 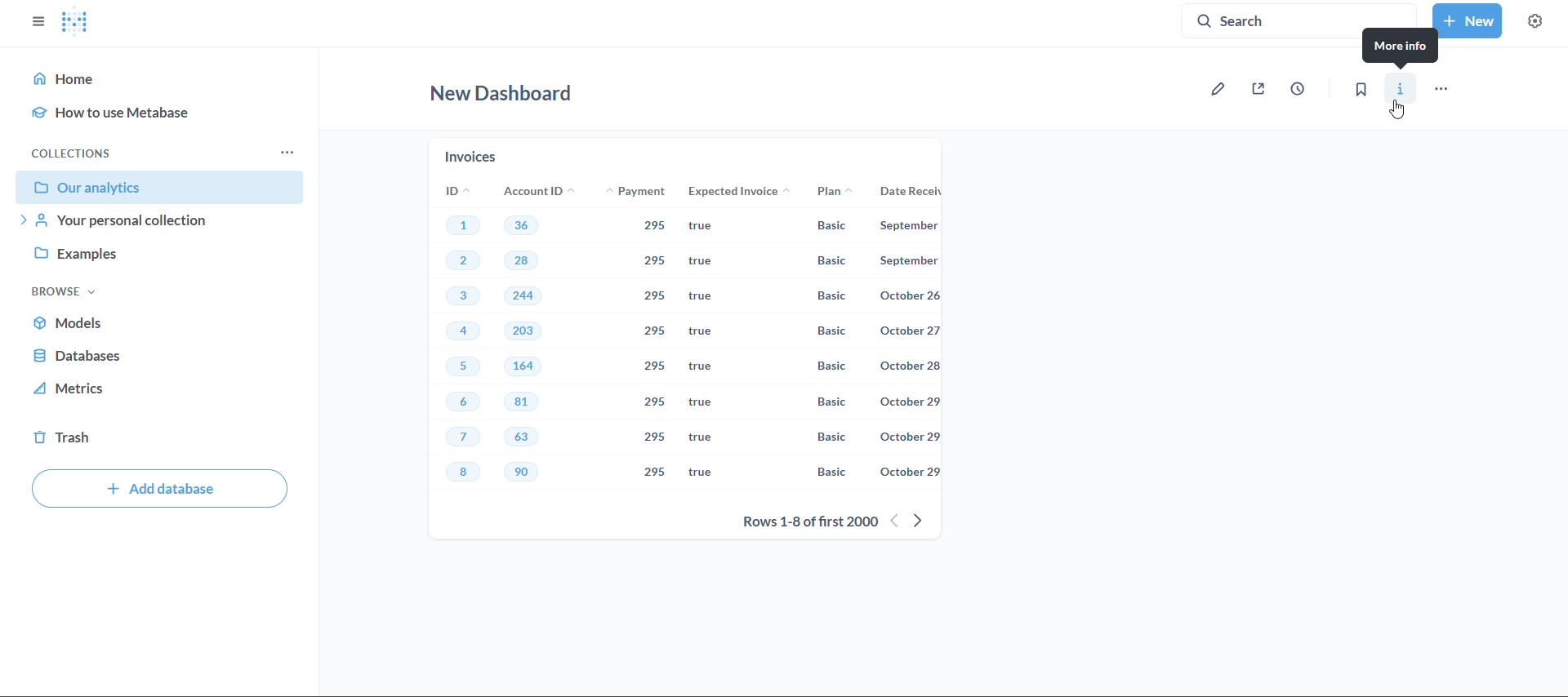 What do you see at coordinates (473, 154) in the screenshot?
I see `invoices` at bounding box center [473, 154].